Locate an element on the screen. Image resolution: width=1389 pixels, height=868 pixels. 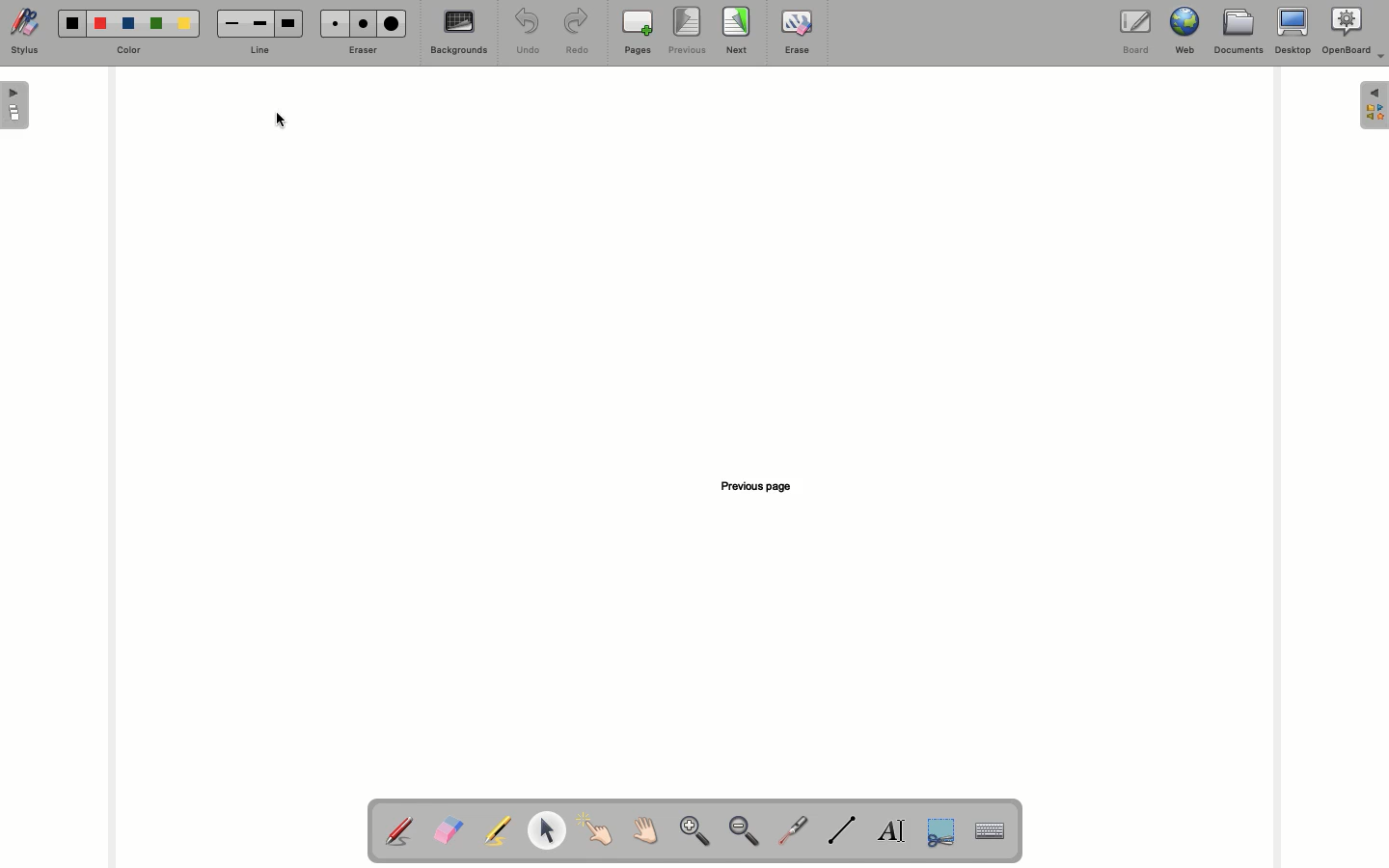
Zoom in is located at coordinates (694, 832).